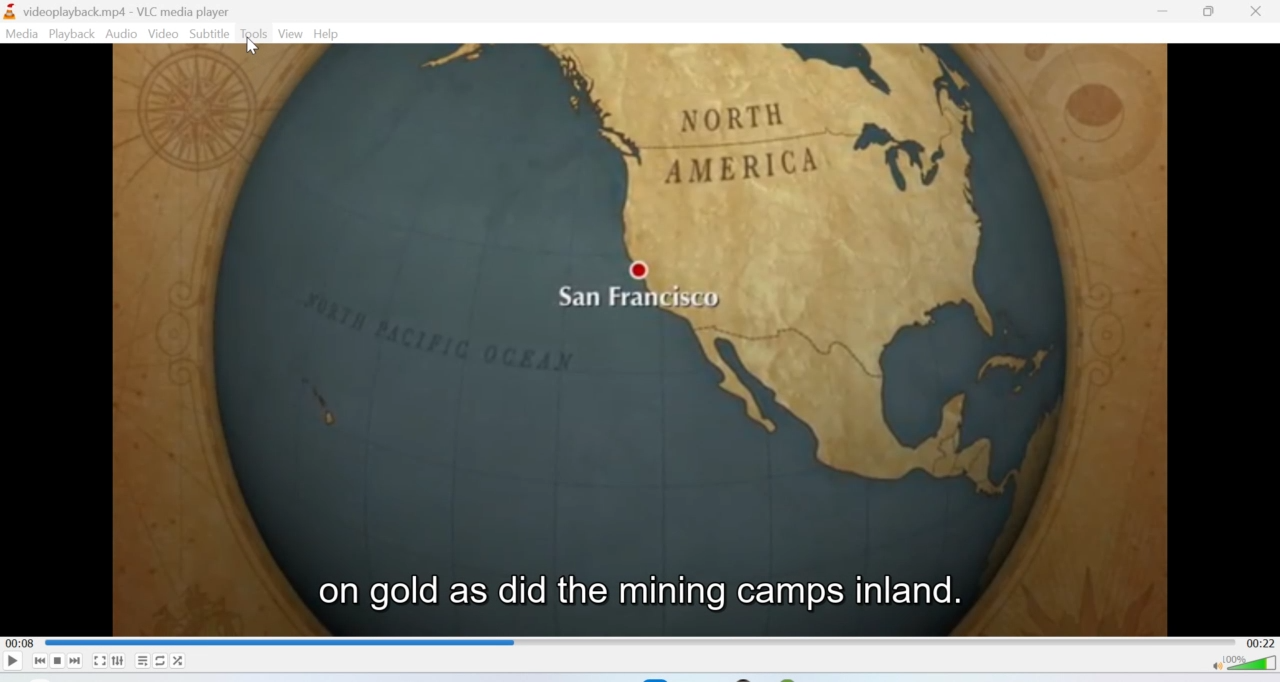 Image resolution: width=1280 pixels, height=682 pixels. Describe the element at coordinates (72, 34) in the screenshot. I see `Playback` at that location.